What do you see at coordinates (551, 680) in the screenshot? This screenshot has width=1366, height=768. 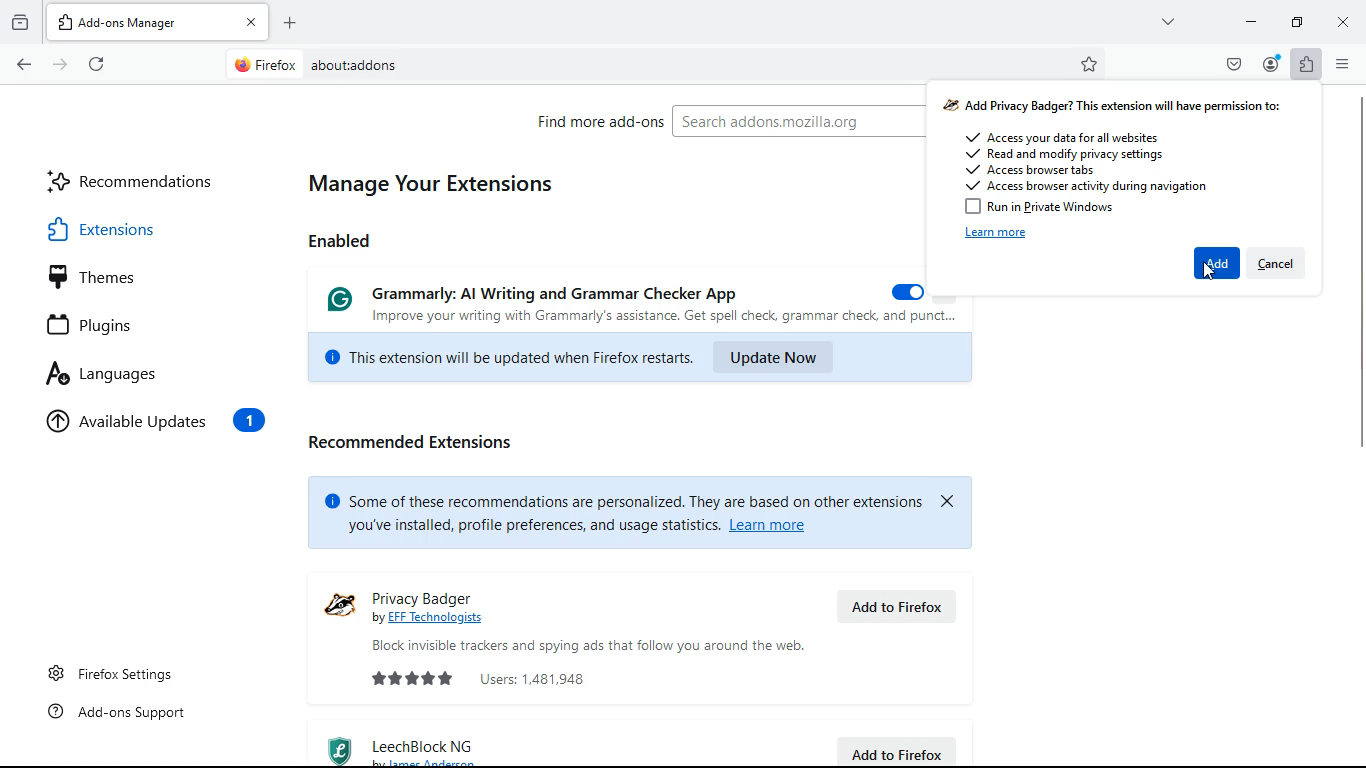 I see `users` at bounding box center [551, 680].